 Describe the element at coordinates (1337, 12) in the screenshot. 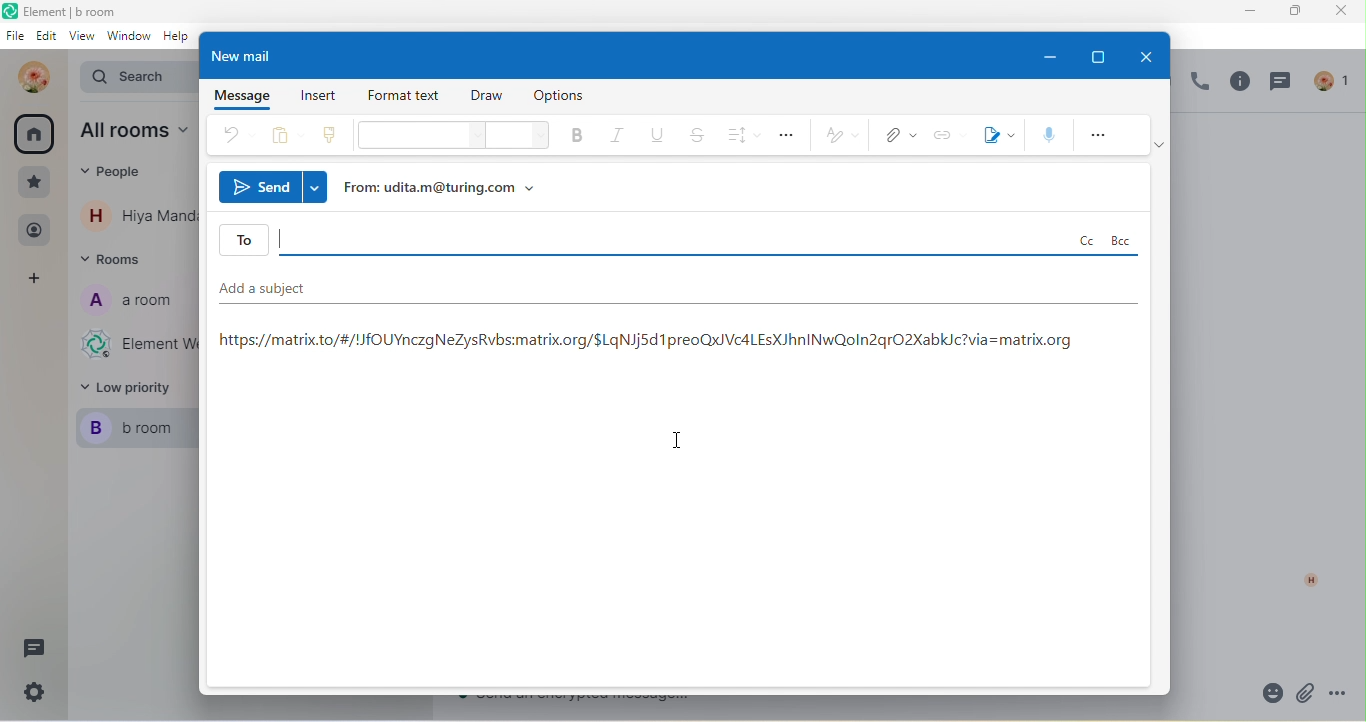

I see `close` at that location.